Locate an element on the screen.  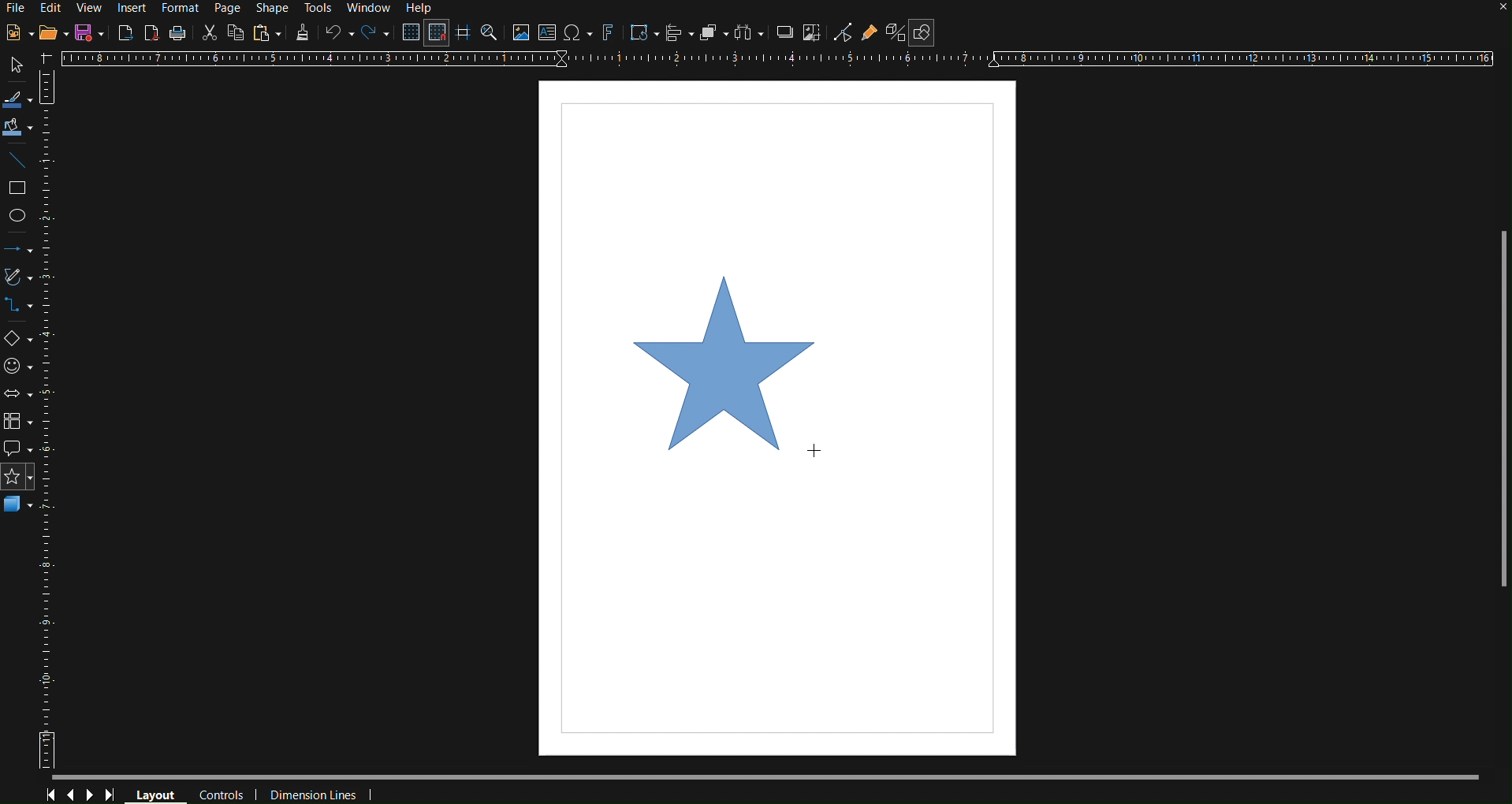
 is located at coordinates (17, 66).